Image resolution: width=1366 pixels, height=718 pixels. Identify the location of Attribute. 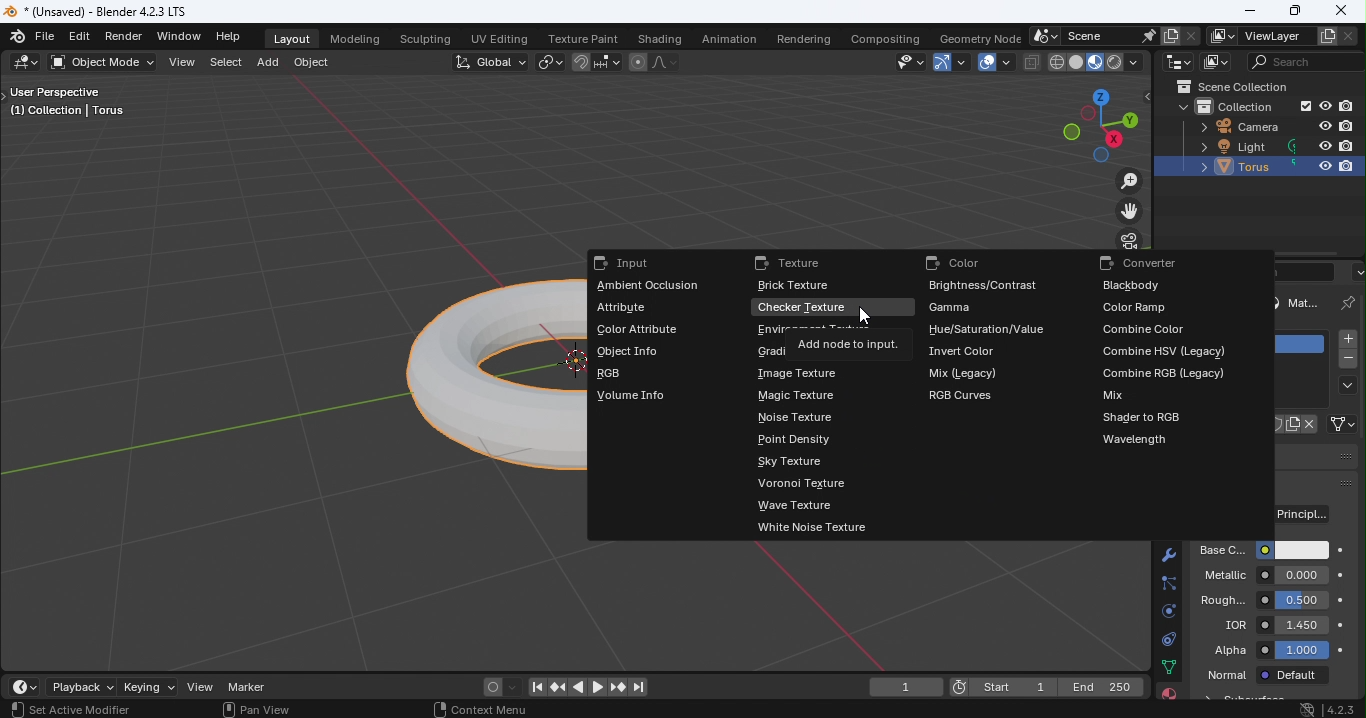
(622, 308).